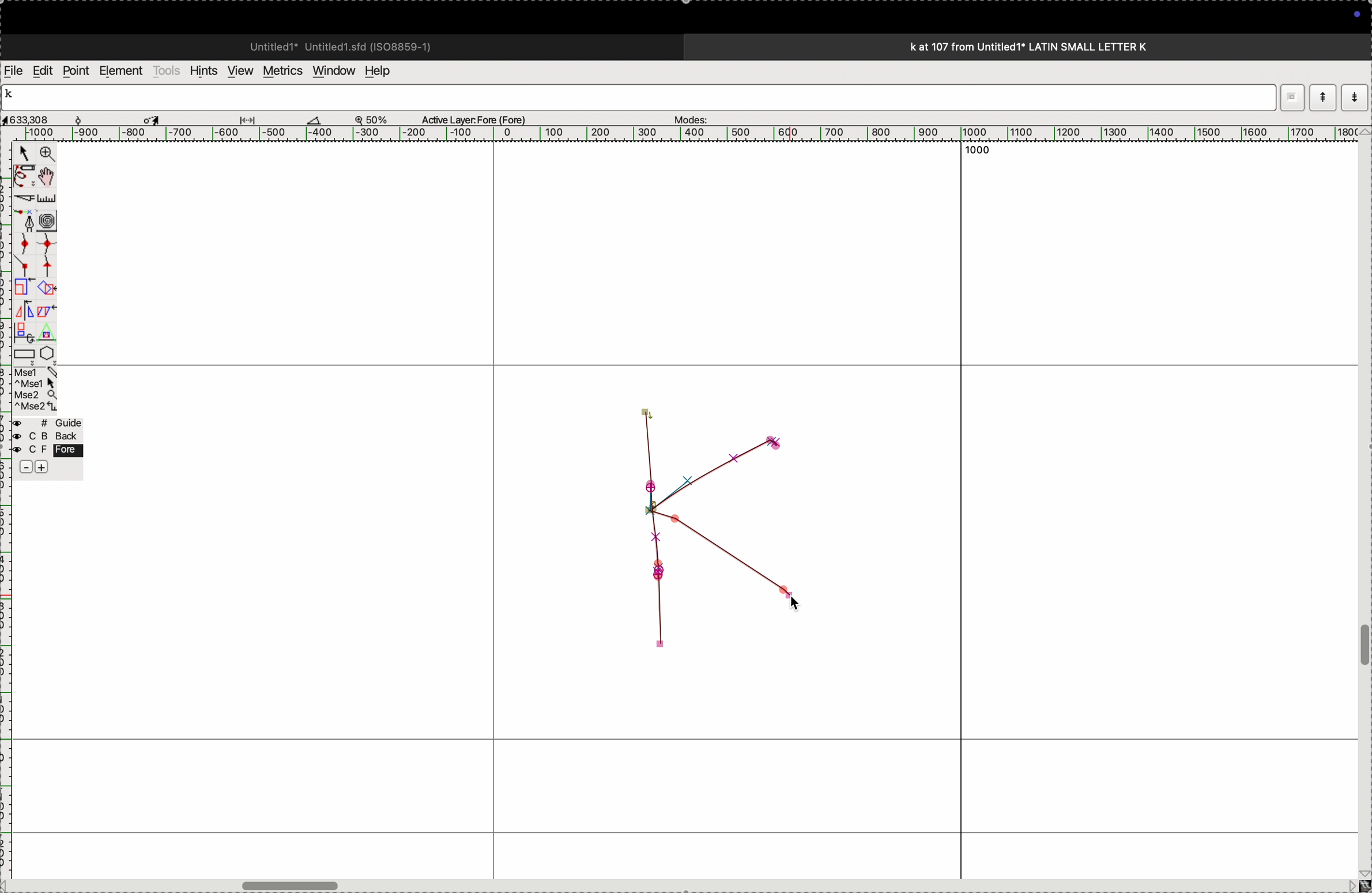 This screenshot has width=1372, height=893. What do you see at coordinates (481, 119) in the screenshot?
I see `active kayer` at bounding box center [481, 119].